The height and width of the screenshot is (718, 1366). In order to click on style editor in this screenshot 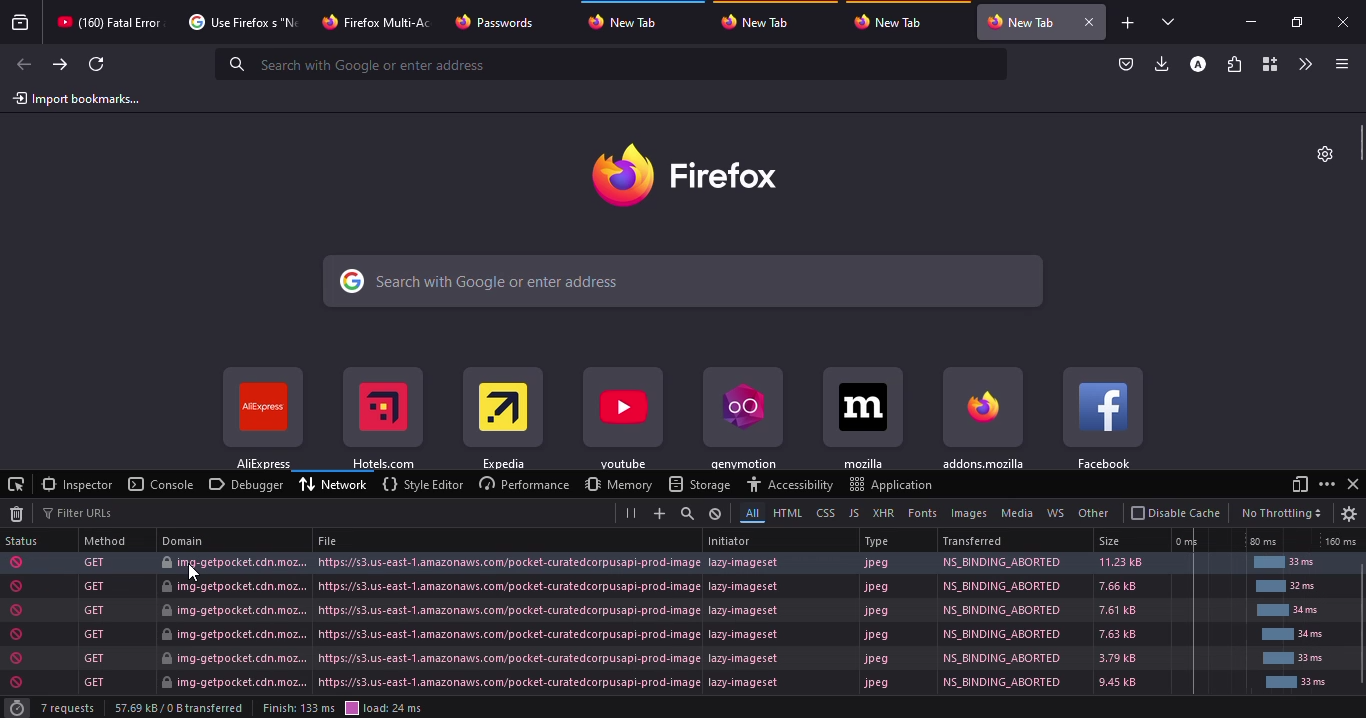, I will do `click(421, 484)`.